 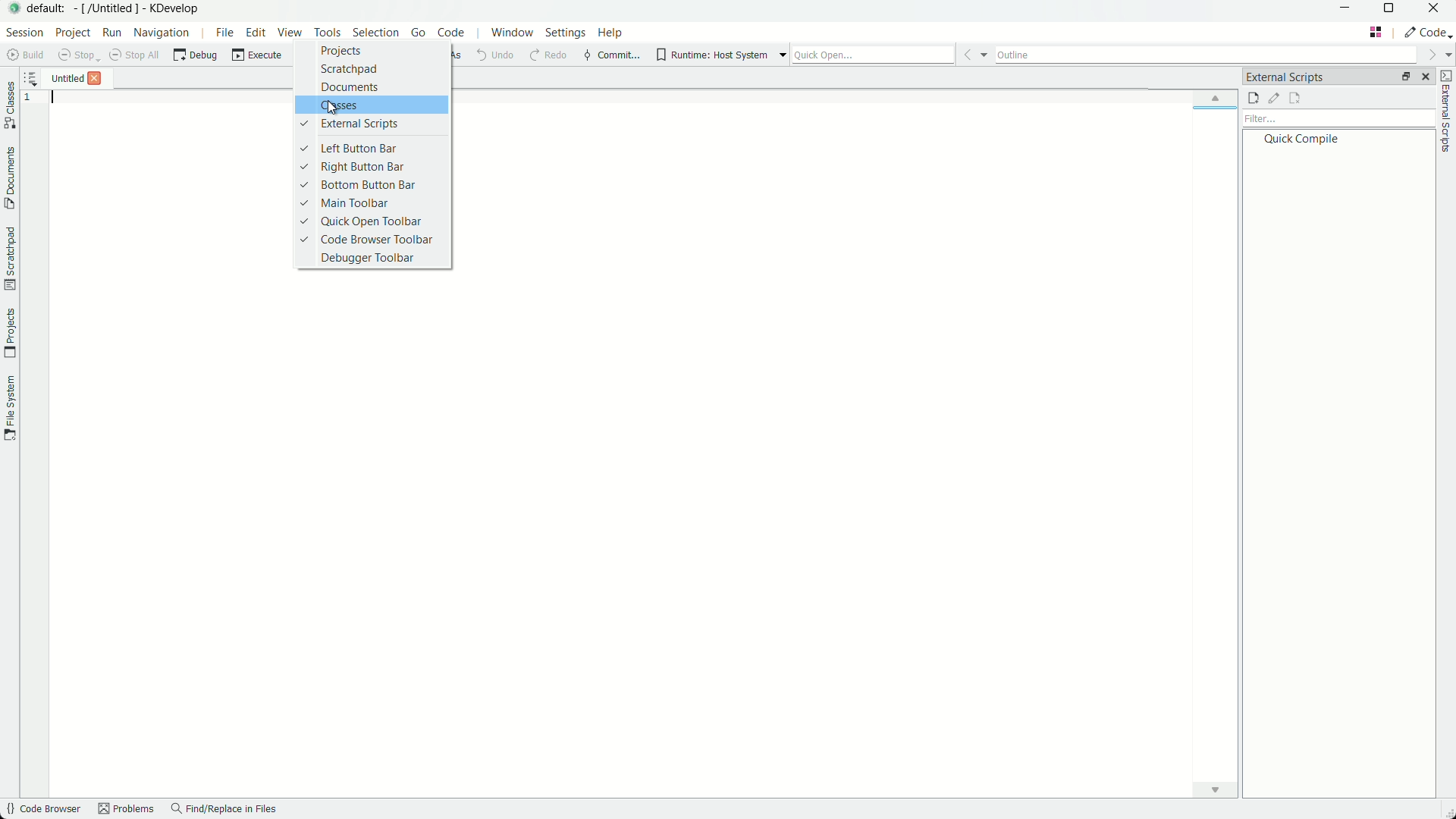 I want to click on projects, so click(x=9, y=331).